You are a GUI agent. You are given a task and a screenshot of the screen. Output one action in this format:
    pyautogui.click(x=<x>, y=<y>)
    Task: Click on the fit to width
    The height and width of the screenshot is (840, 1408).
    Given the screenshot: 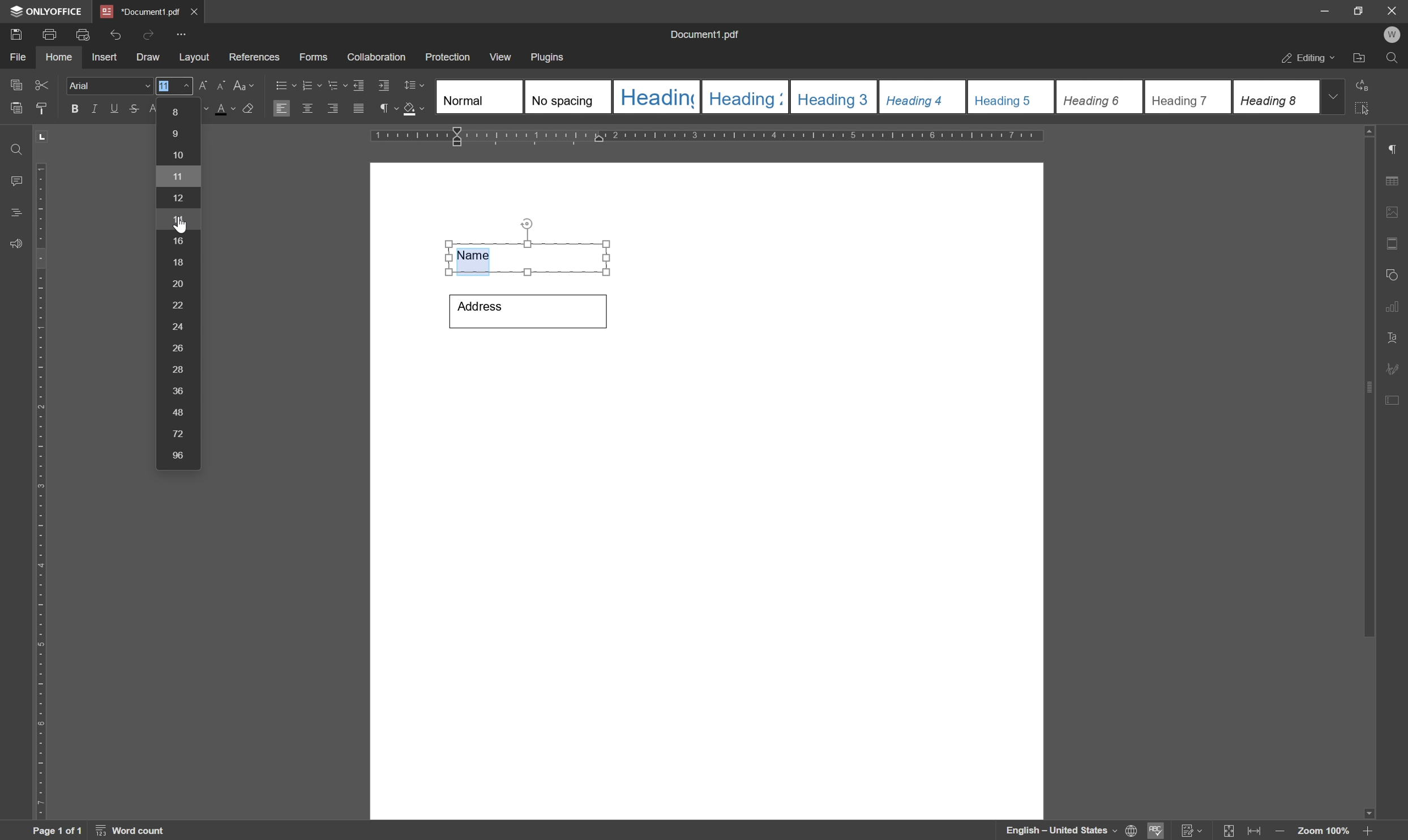 What is the action you would take?
    pyautogui.click(x=1257, y=832)
    